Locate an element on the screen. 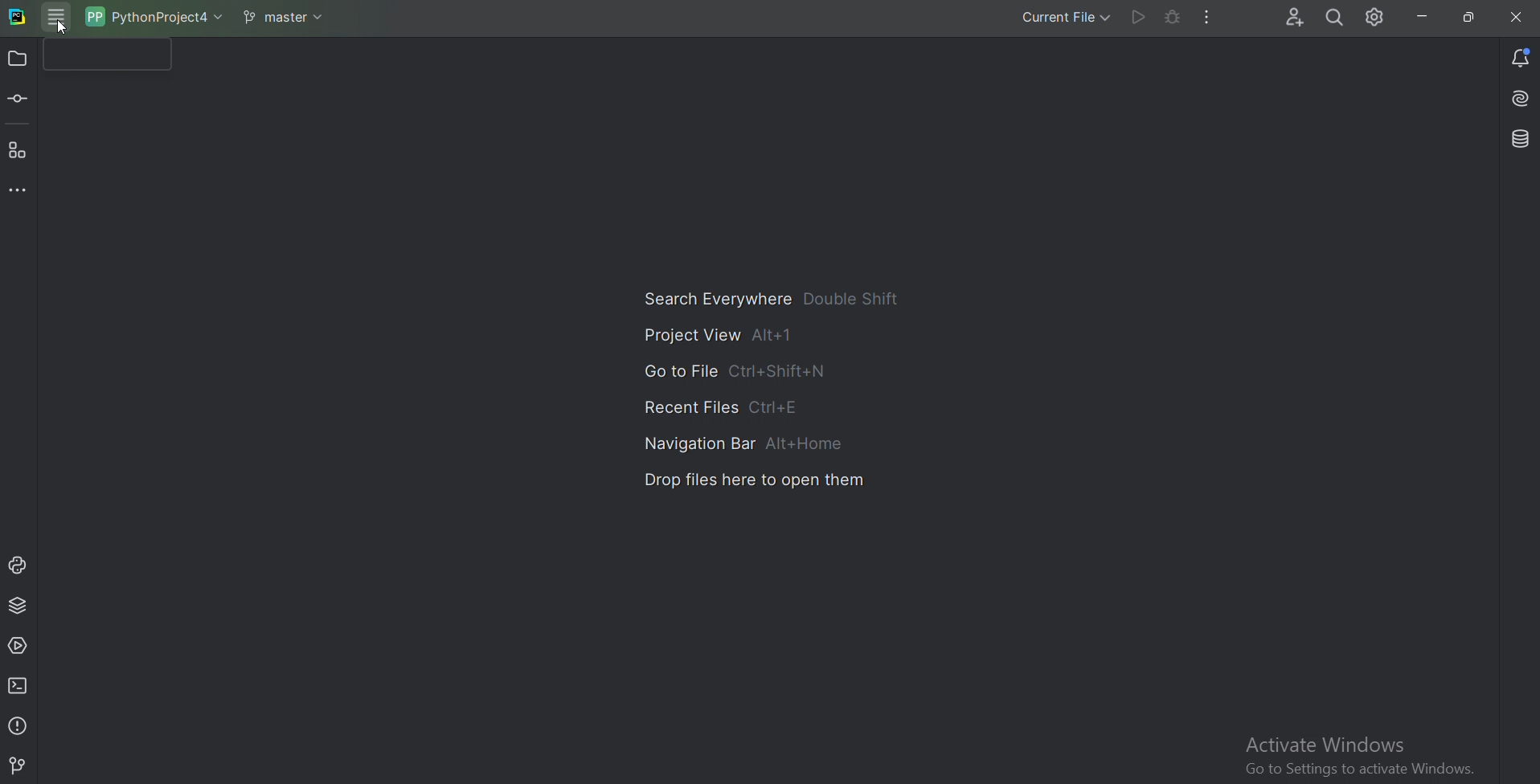 Image resolution: width=1540 pixels, height=784 pixels. Python console is located at coordinates (18, 565).